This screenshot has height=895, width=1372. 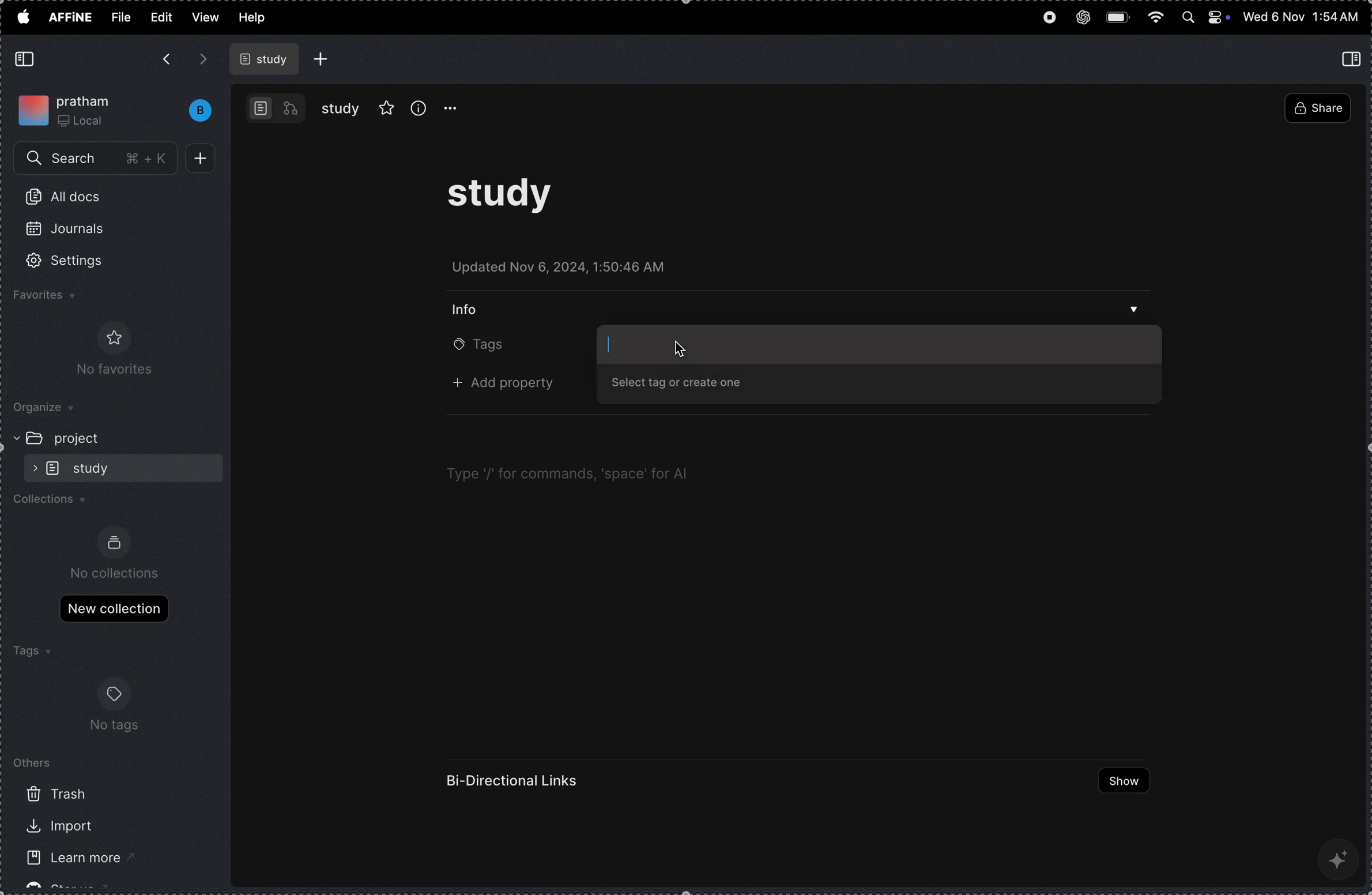 What do you see at coordinates (111, 337) in the screenshot?
I see `favorite logo` at bounding box center [111, 337].